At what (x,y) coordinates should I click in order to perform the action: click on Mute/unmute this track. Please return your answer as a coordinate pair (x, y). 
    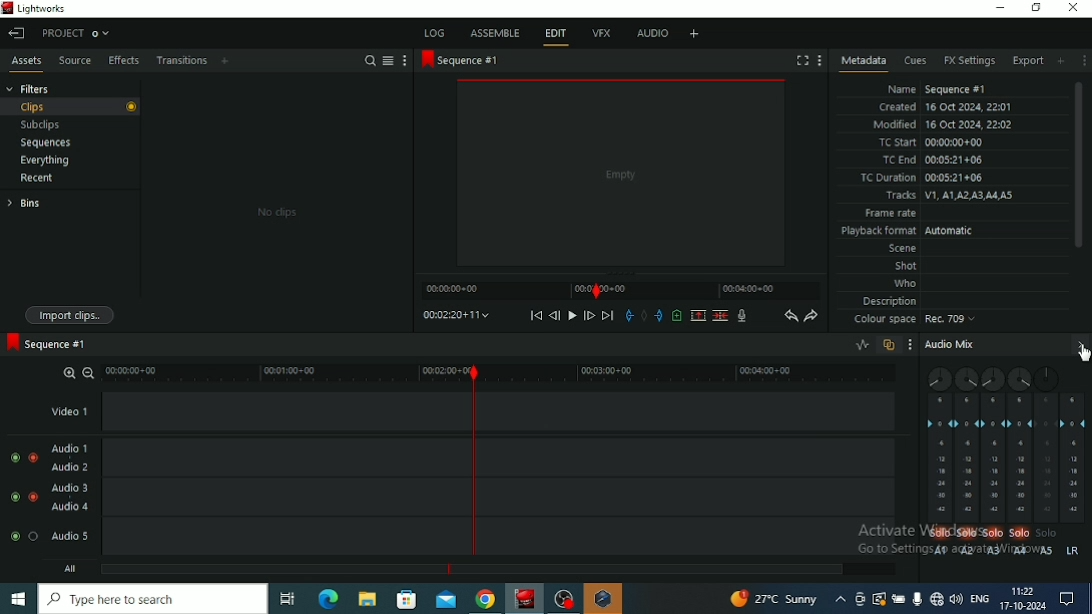
    Looking at the image, I should click on (14, 497).